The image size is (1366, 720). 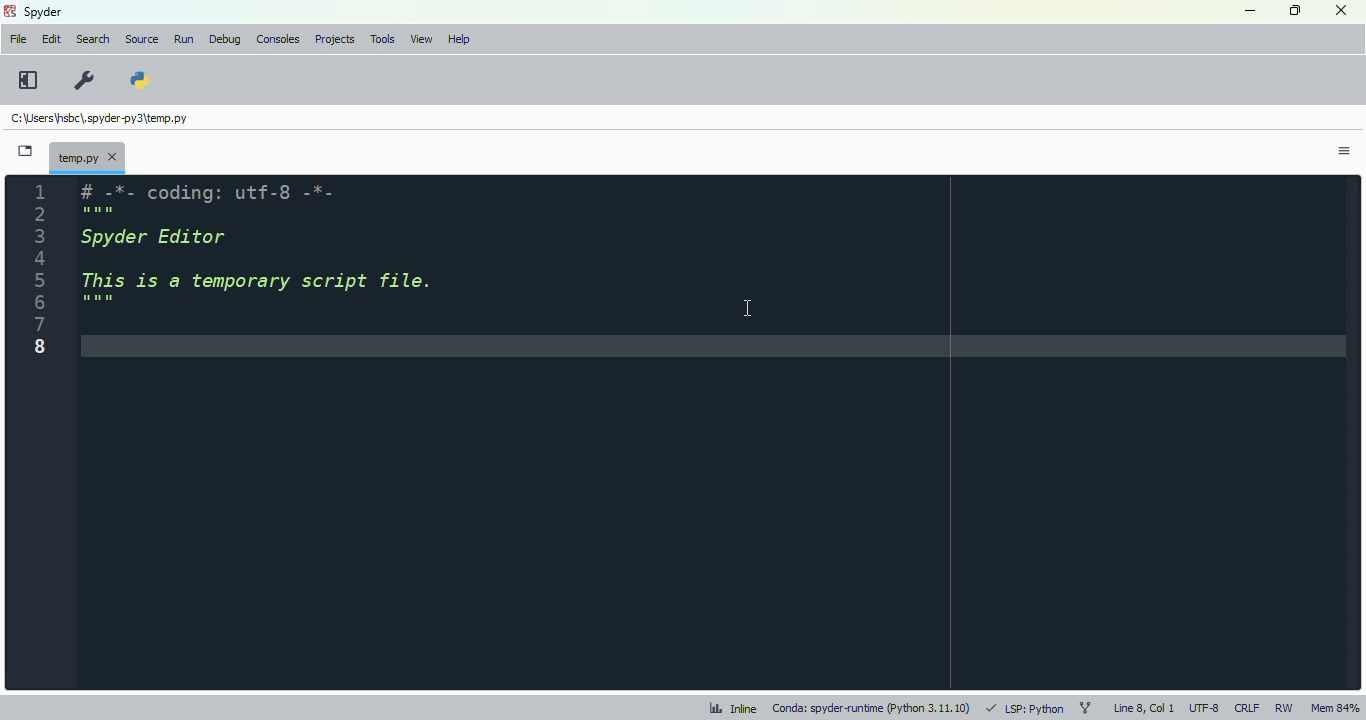 I want to click on CRLF, so click(x=1247, y=707).